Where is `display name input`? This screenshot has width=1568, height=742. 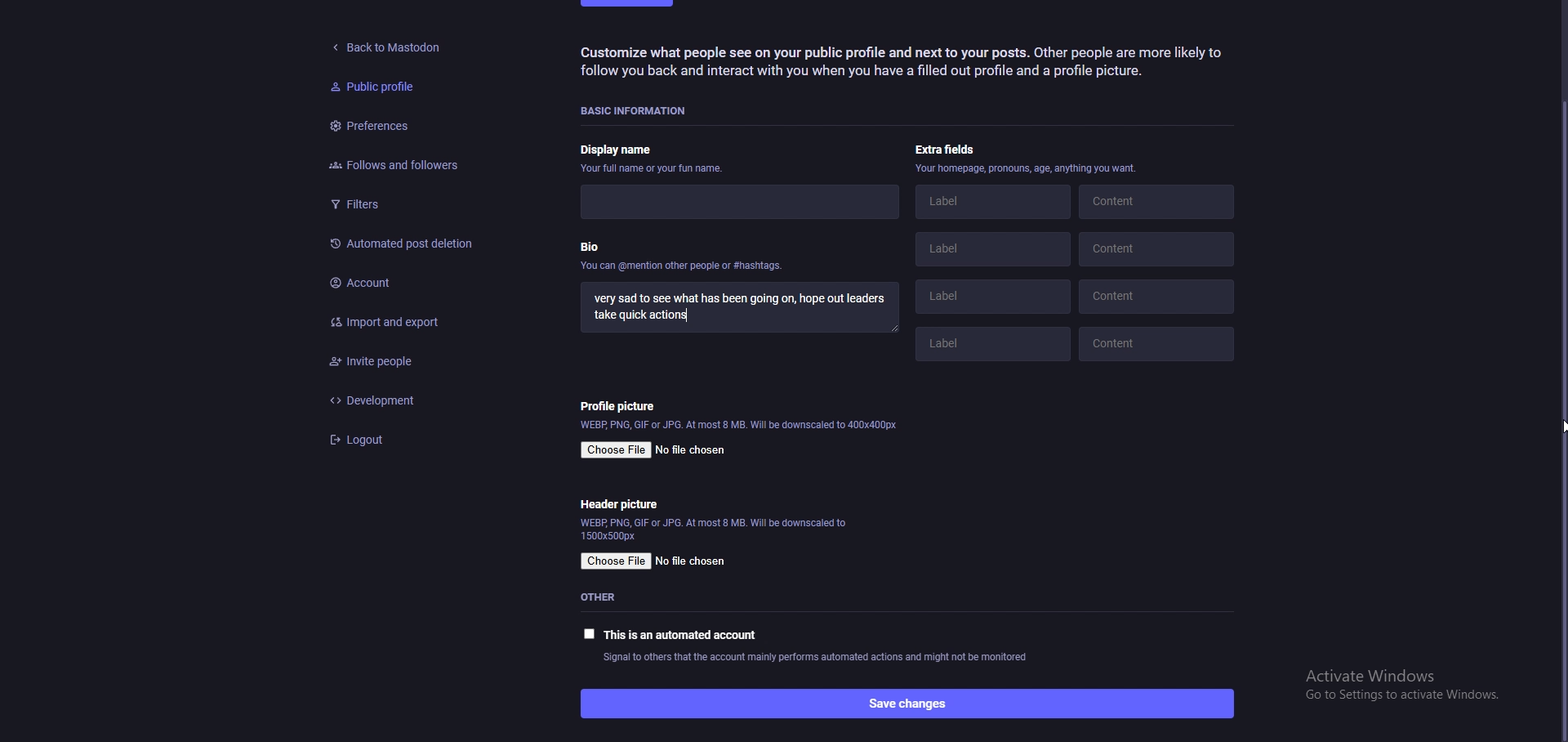
display name input is located at coordinates (733, 200).